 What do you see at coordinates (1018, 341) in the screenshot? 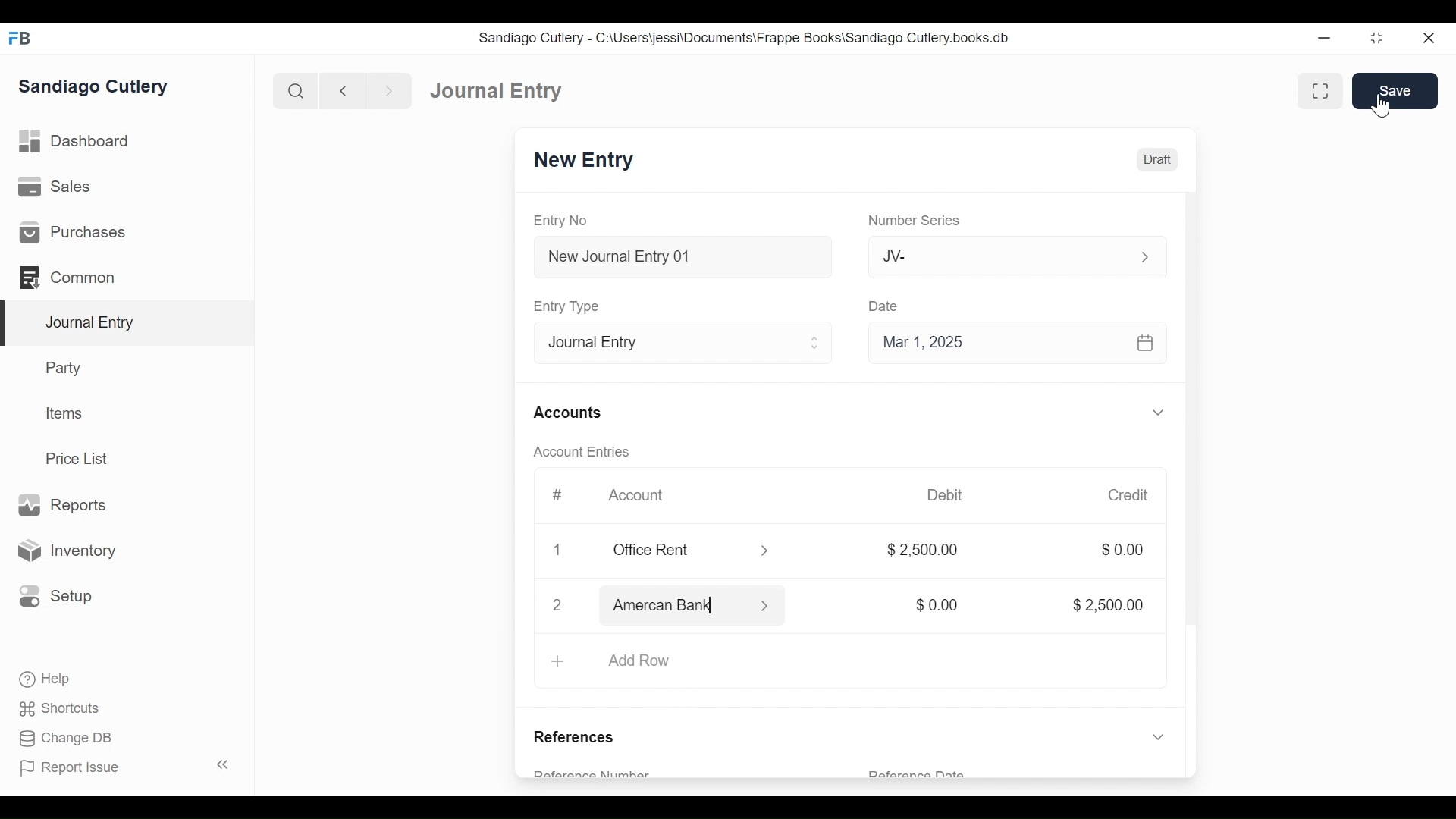
I see `Mar 1, 2025` at bounding box center [1018, 341].